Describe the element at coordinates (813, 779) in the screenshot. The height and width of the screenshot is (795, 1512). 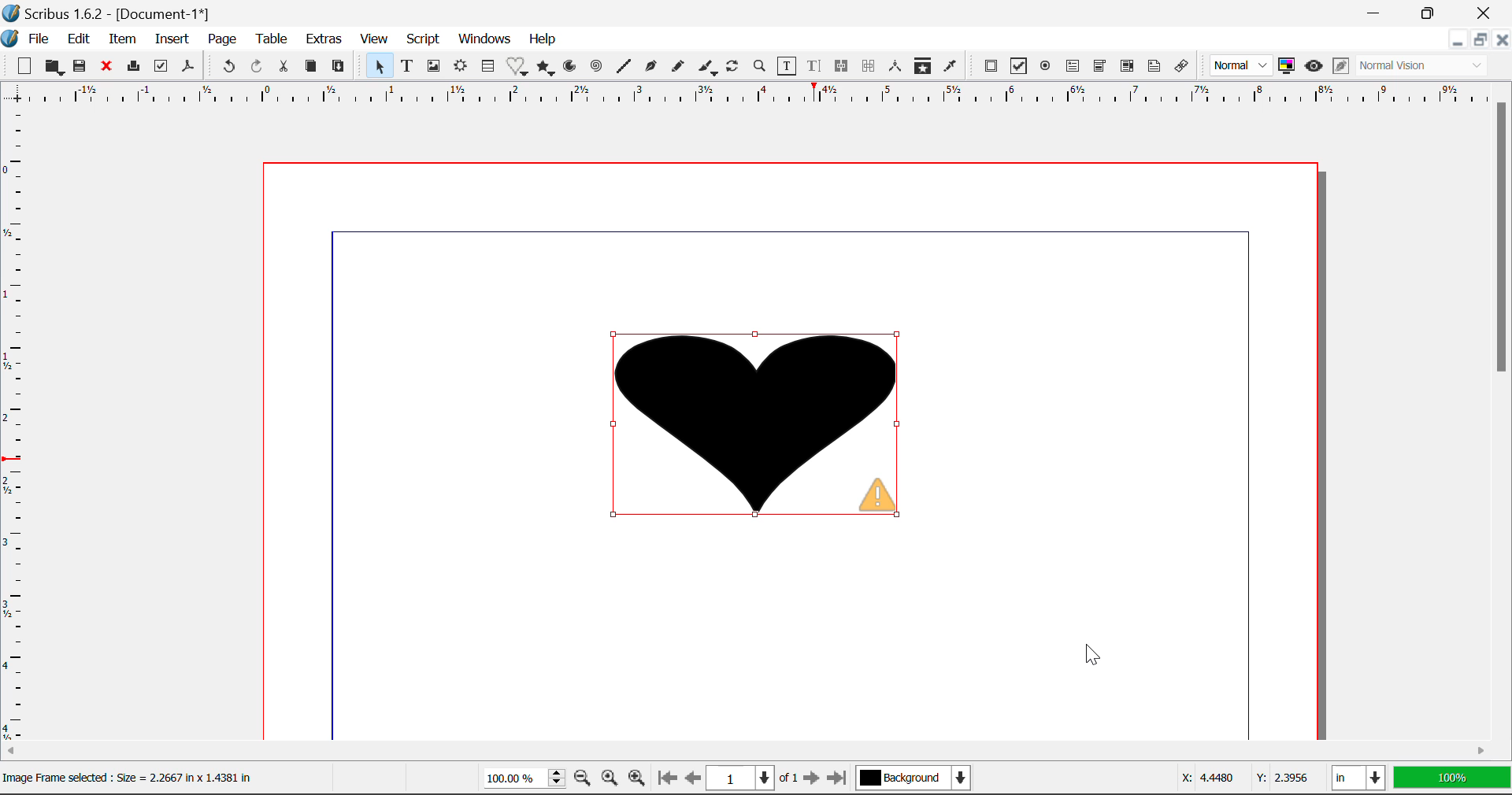
I see `Next` at that location.